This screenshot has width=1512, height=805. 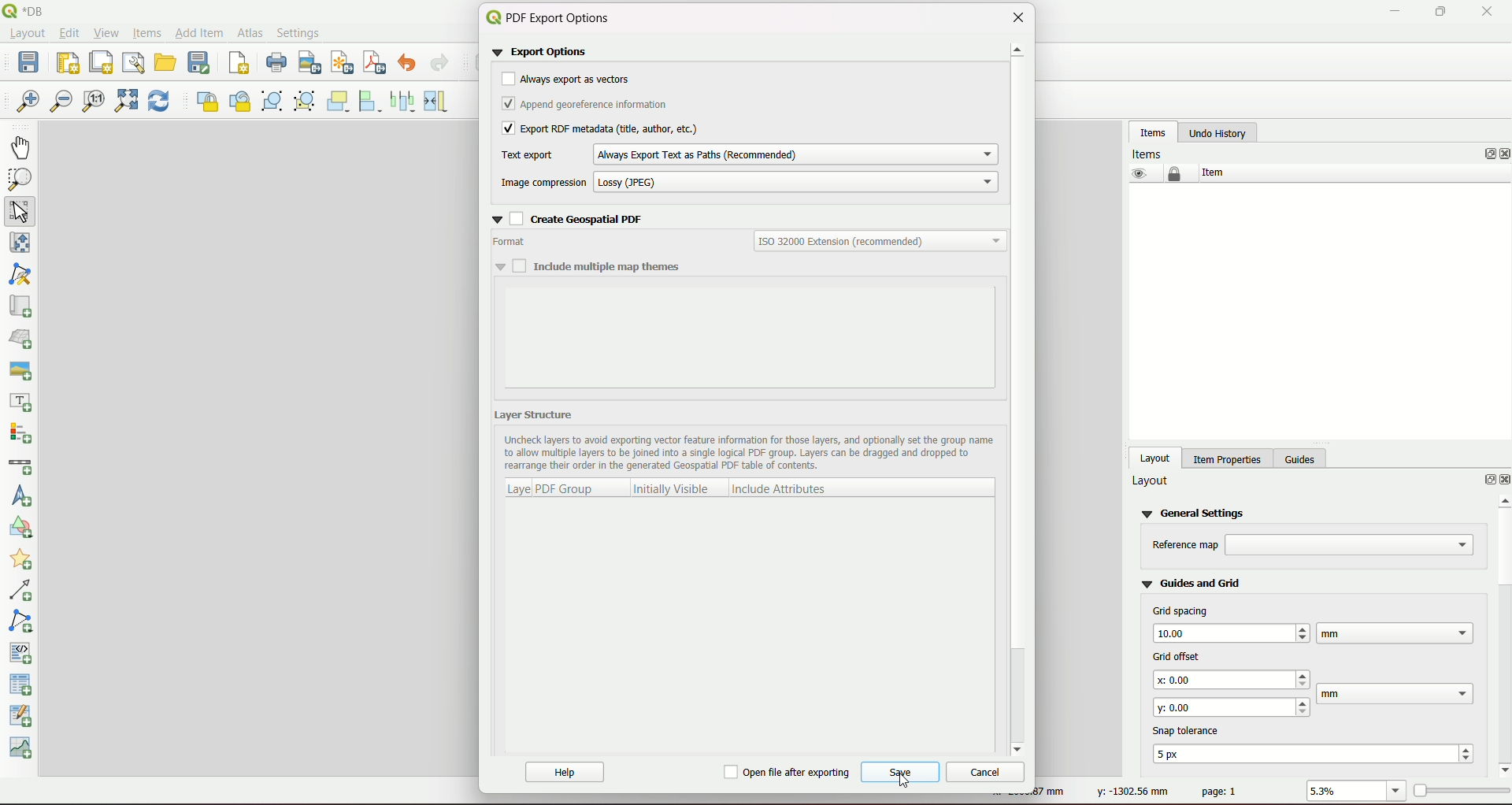 I want to click on text box, so click(x=1230, y=632).